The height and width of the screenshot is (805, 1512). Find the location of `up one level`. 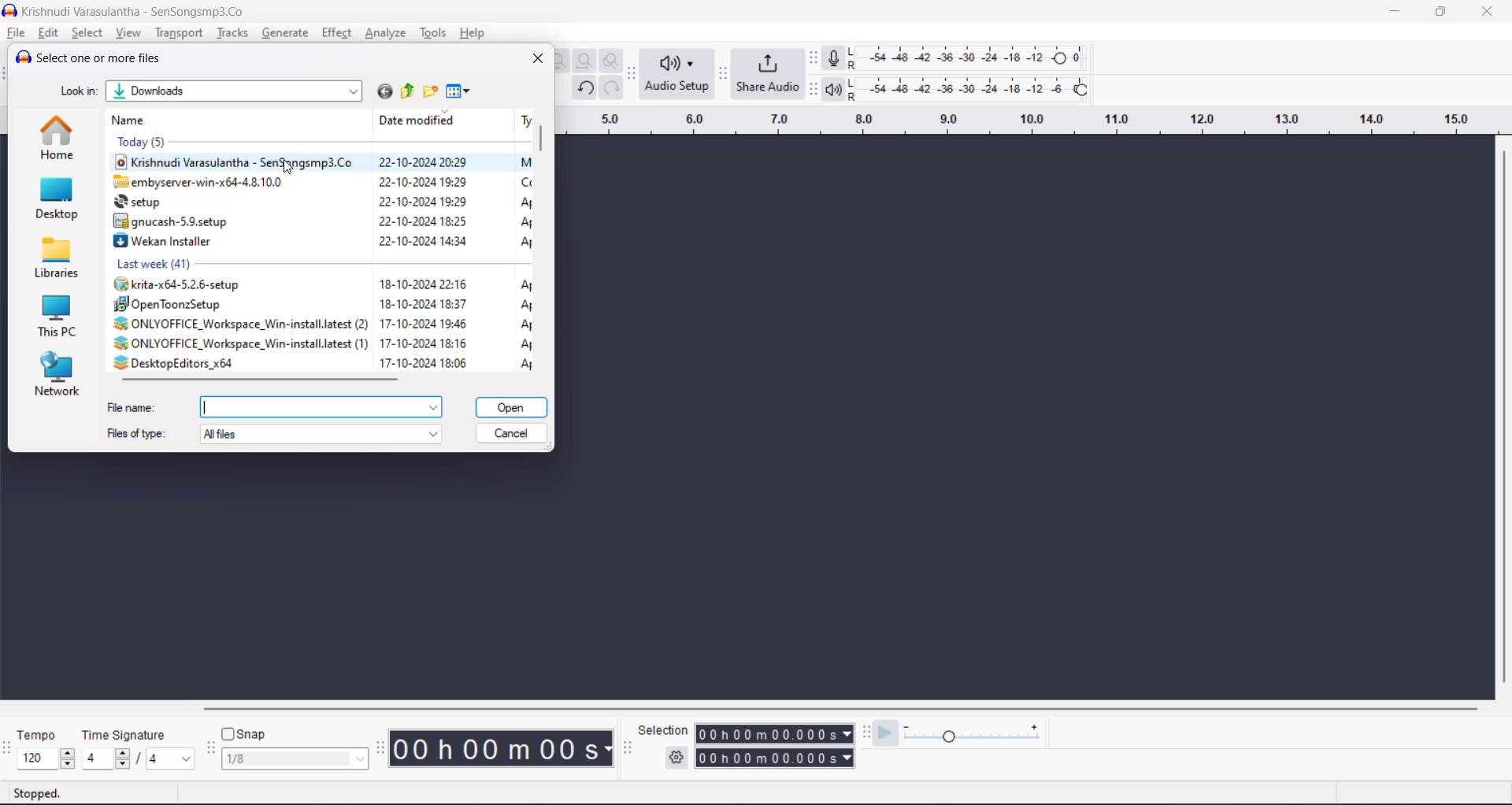

up one level is located at coordinates (406, 92).